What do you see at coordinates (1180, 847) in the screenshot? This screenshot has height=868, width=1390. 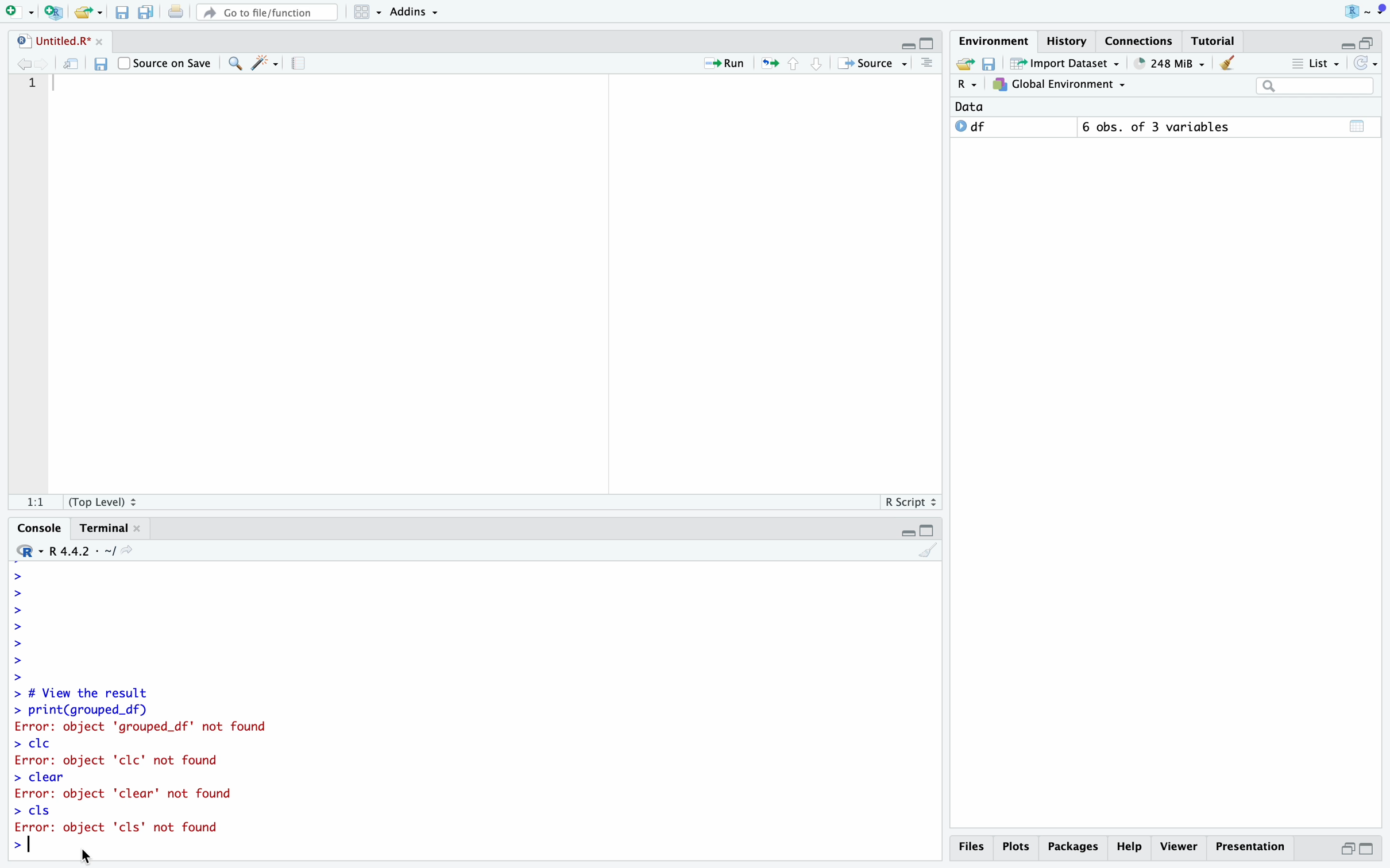 I see `Viewer` at bounding box center [1180, 847].